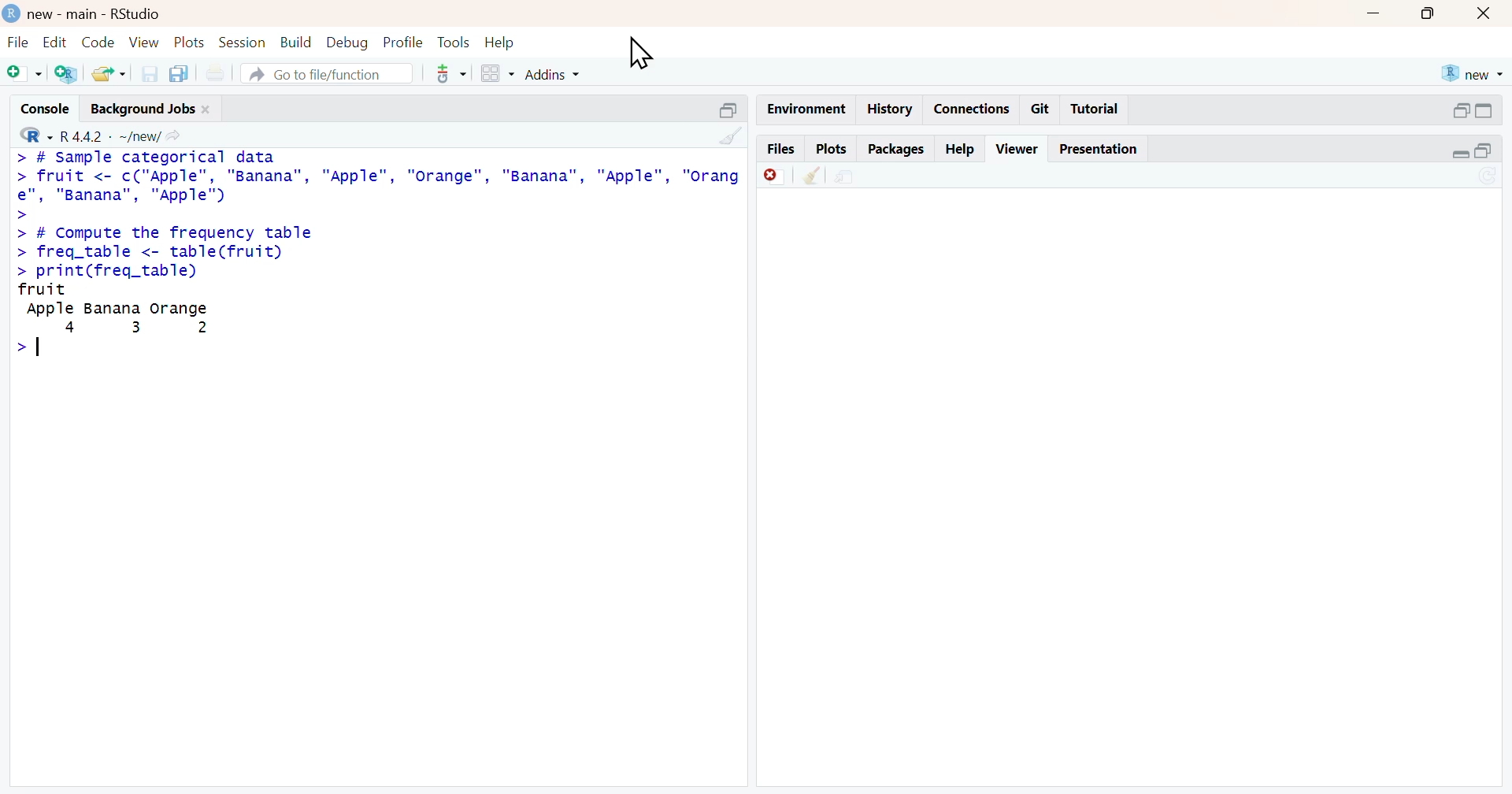  What do you see at coordinates (108, 74) in the screenshot?
I see `open an existing file` at bounding box center [108, 74].